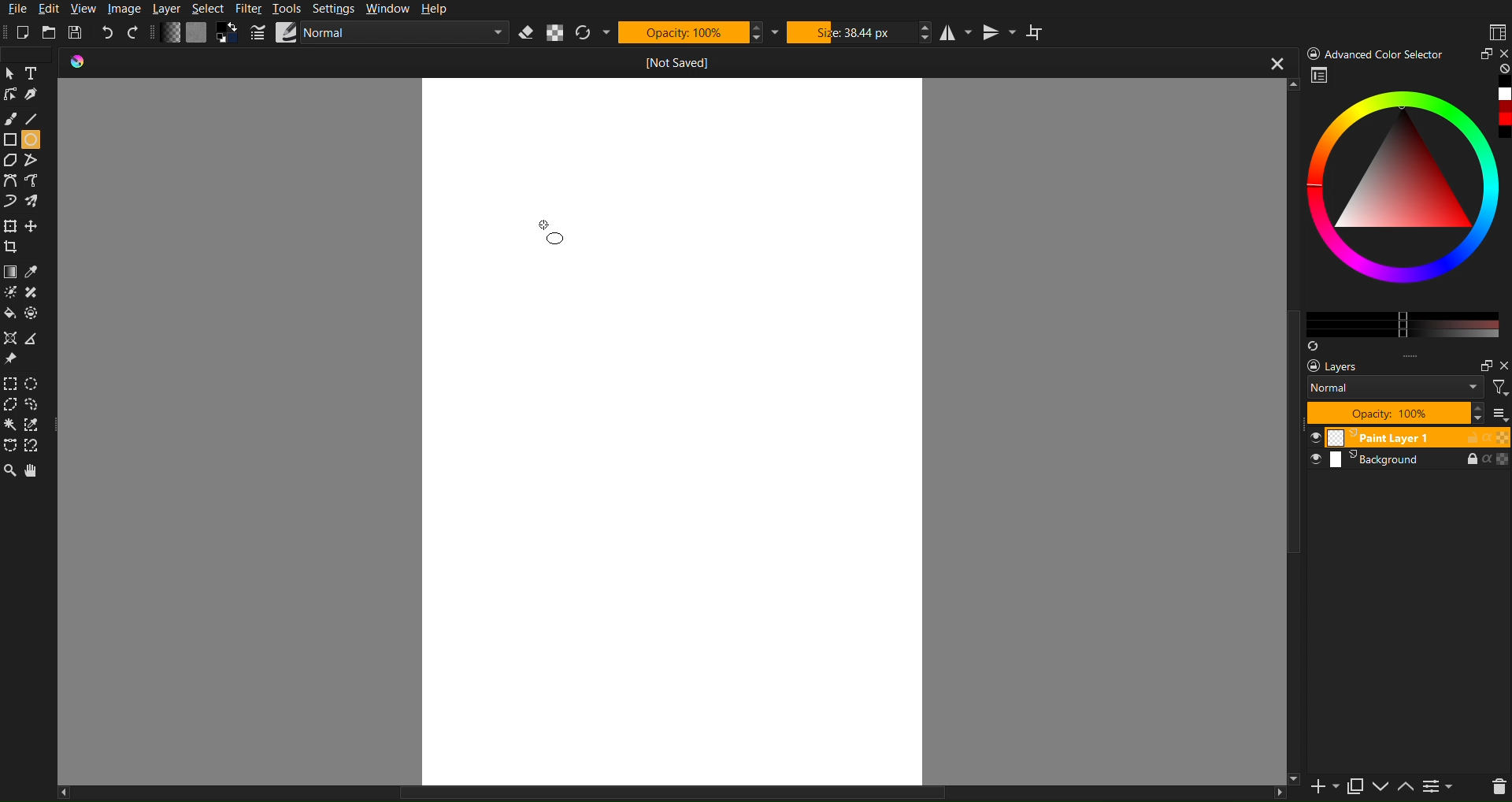 The image size is (1512, 802). I want to click on Polygon, so click(9, 161).